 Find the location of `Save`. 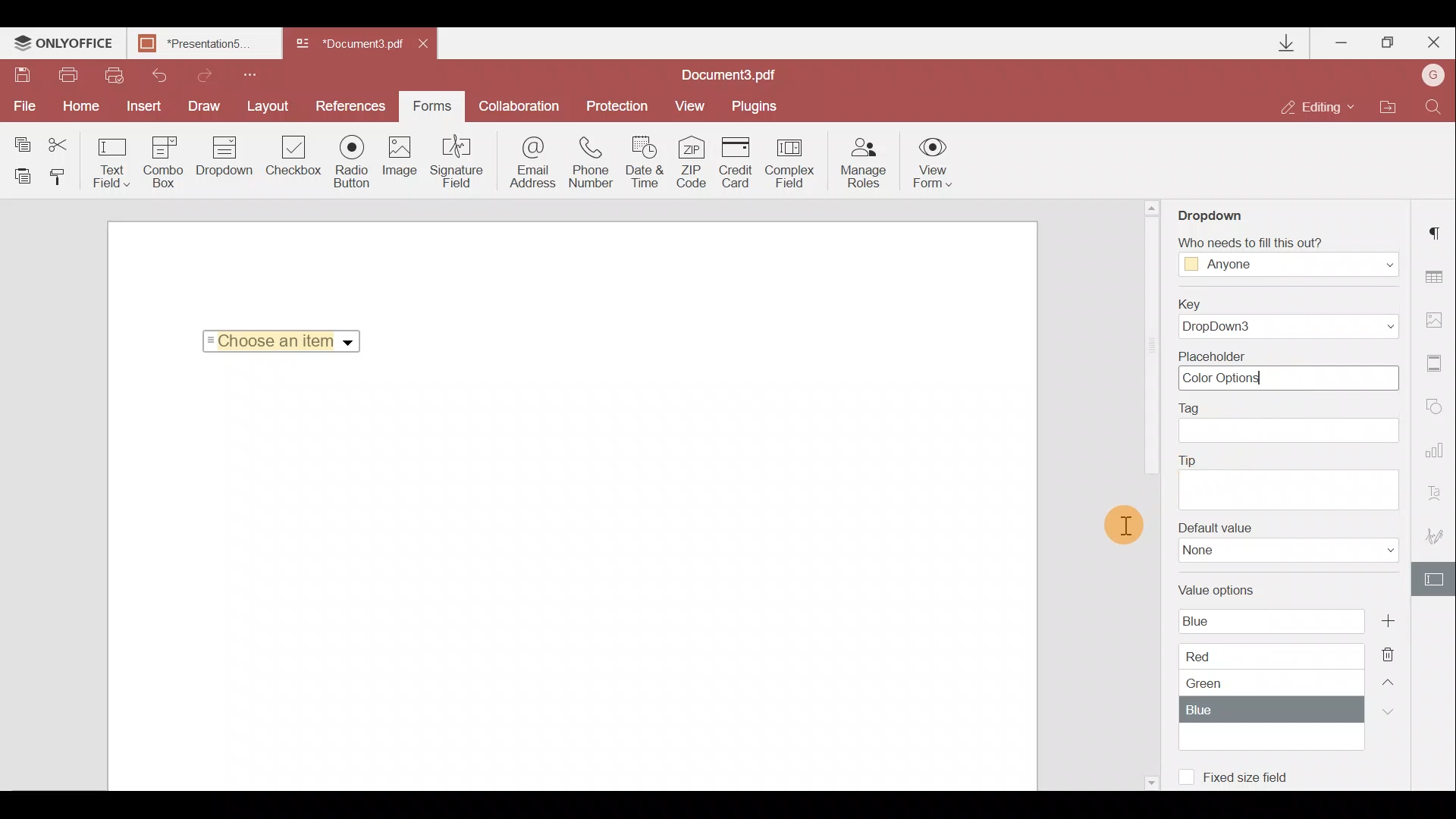

Save is located at coordinates (22, 75).